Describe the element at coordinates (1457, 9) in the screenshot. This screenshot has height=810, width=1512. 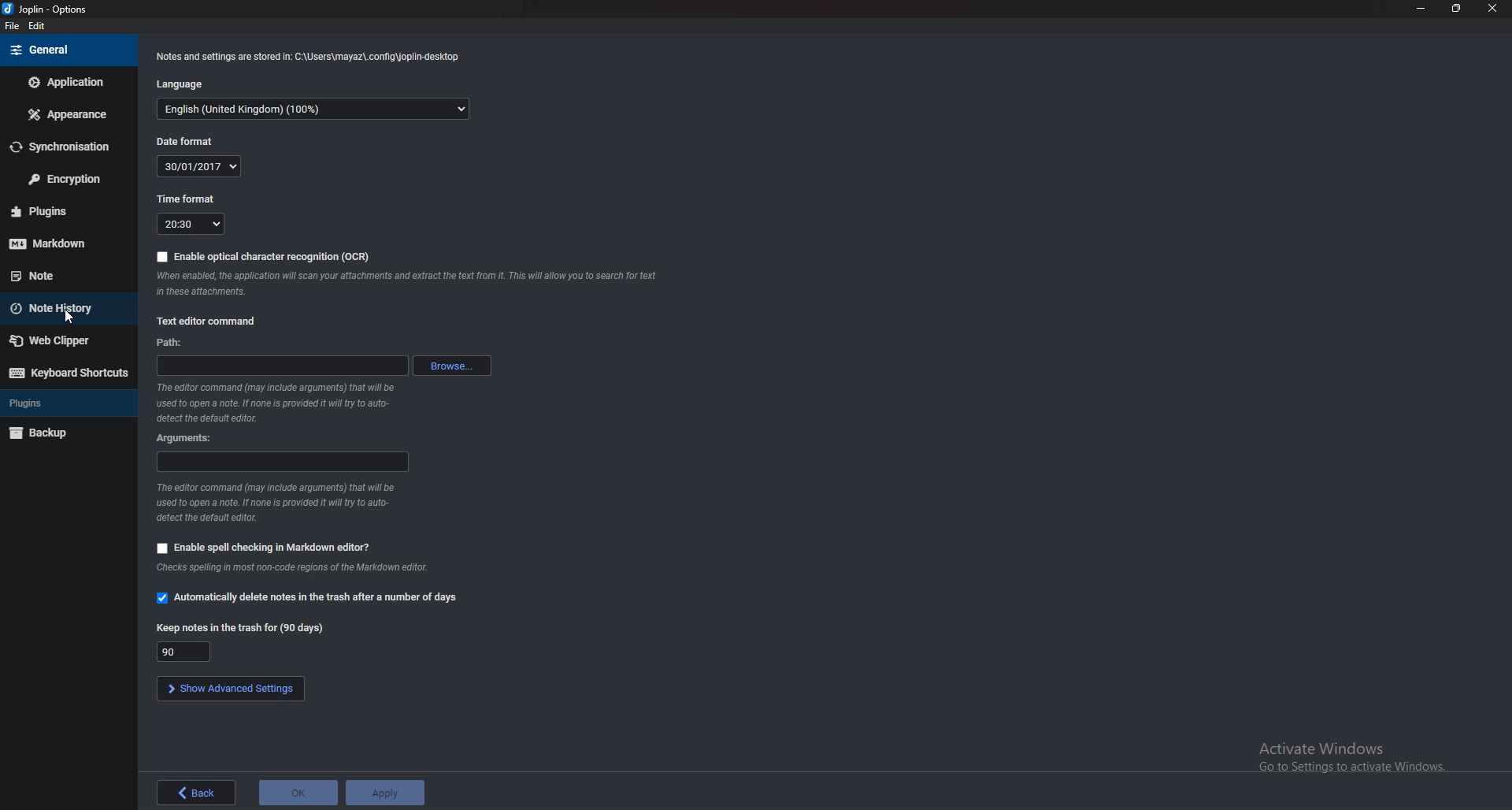
I see `Resize` at that location.